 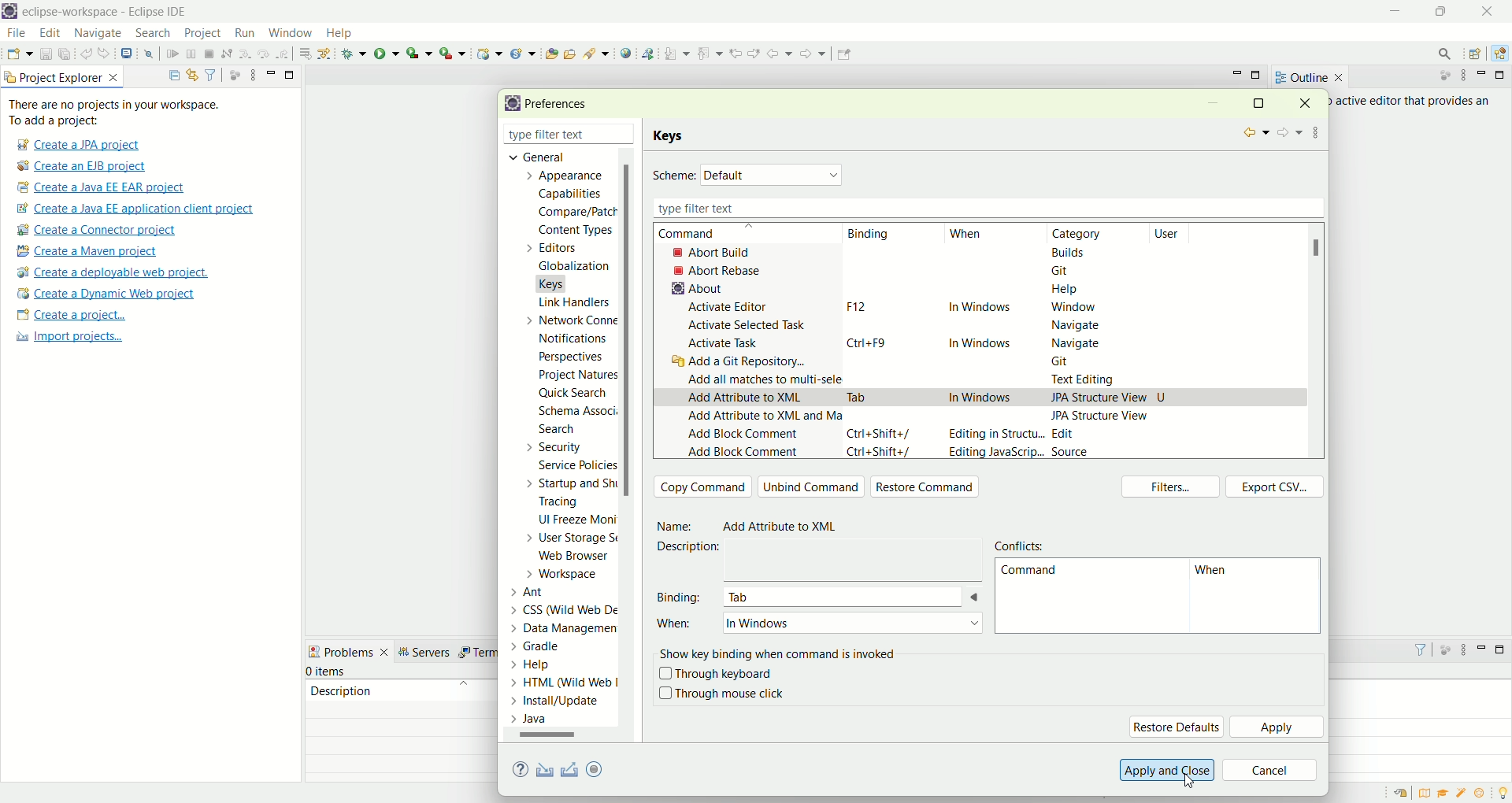 I want to click on help, so click(x=346, y=35).